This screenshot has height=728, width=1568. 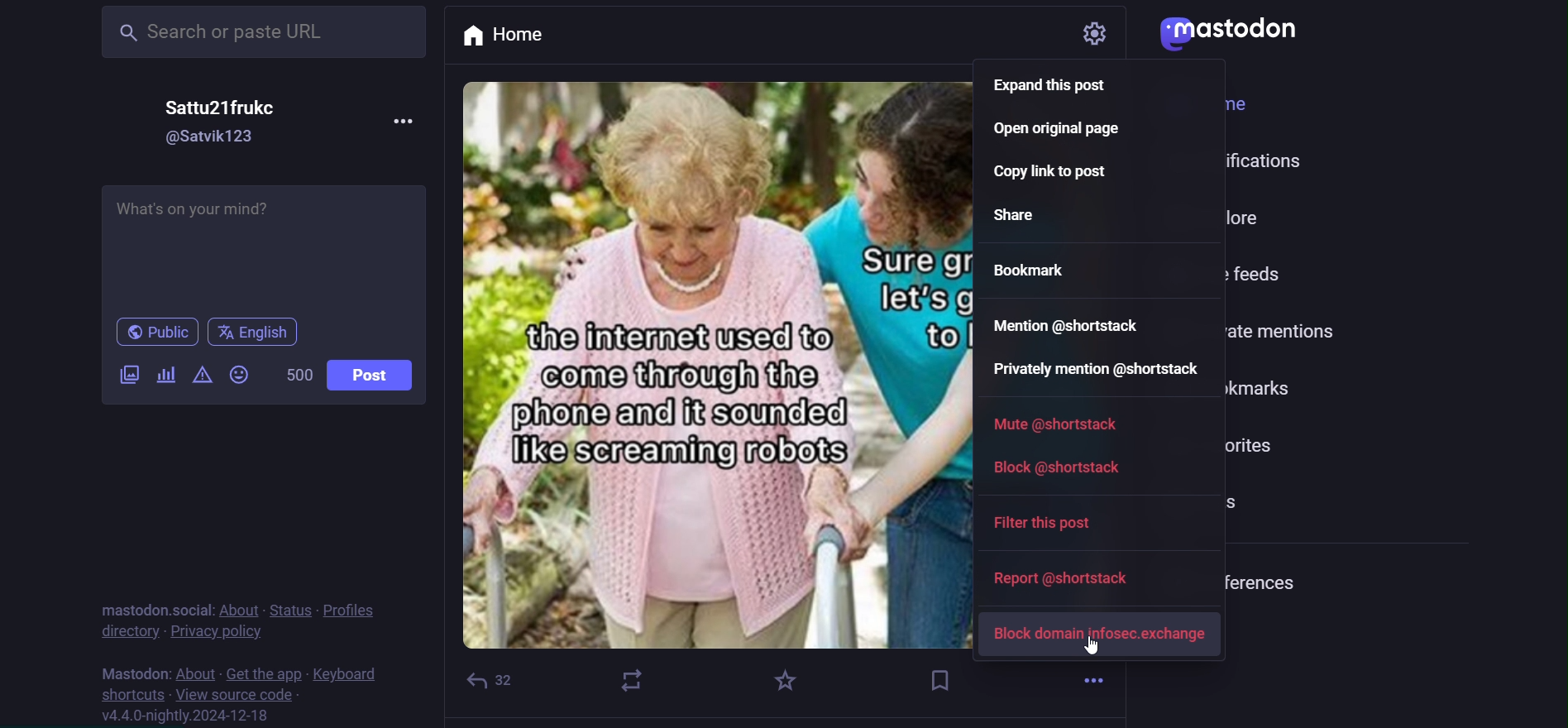 What do you see at coordinates (153, 608) in the screenshot?
I see `mastodon social` at bounding box center [153, 608].